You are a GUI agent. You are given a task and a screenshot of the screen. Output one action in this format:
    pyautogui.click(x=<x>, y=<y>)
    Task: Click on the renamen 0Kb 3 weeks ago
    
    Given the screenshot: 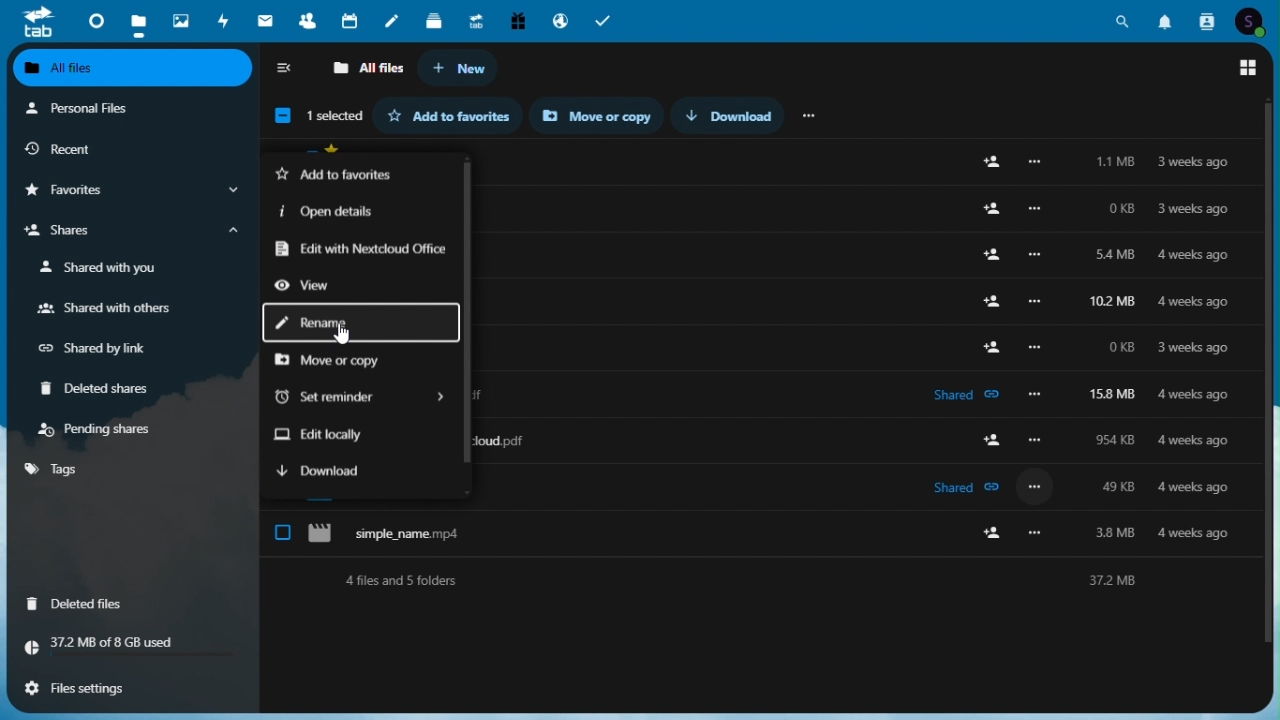 What is the action you would take?
    pyautogui.click(x=757, y=333)
    